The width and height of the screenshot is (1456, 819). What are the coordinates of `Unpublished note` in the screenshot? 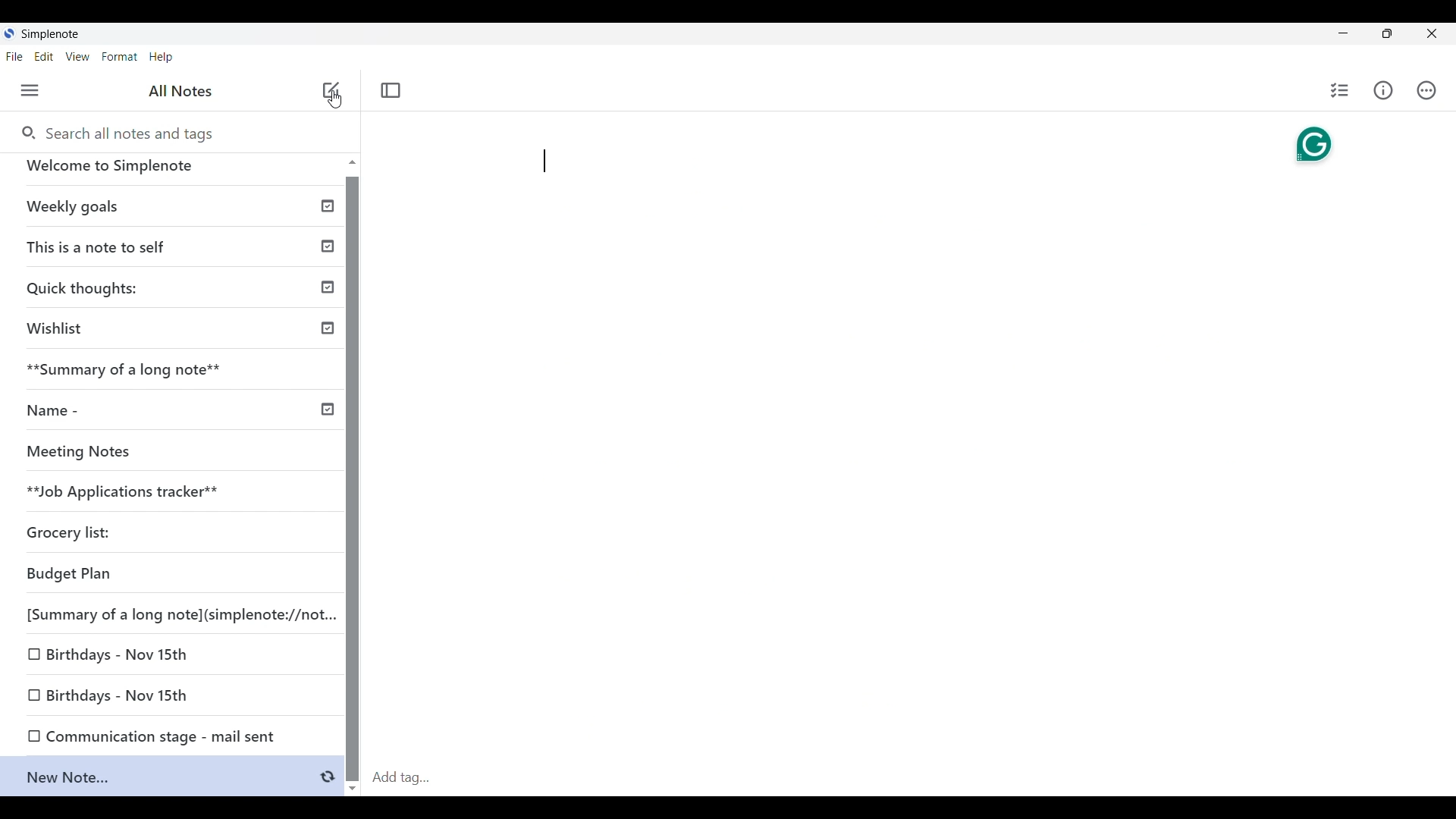 It's located at (190, 618).